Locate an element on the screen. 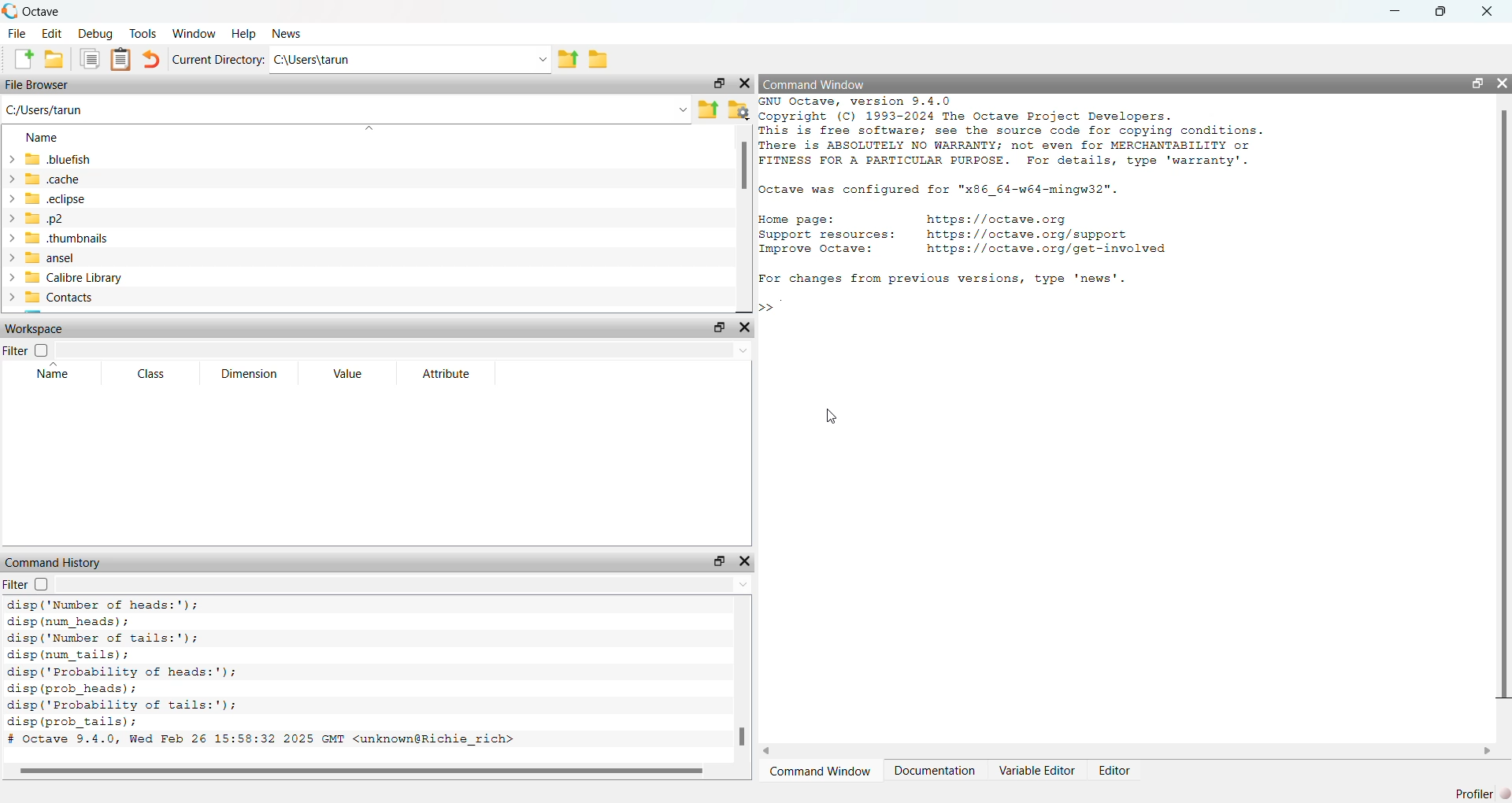 This screenshot has height=803, width=1512. Hide Widget is located at coordinates (745, 561).